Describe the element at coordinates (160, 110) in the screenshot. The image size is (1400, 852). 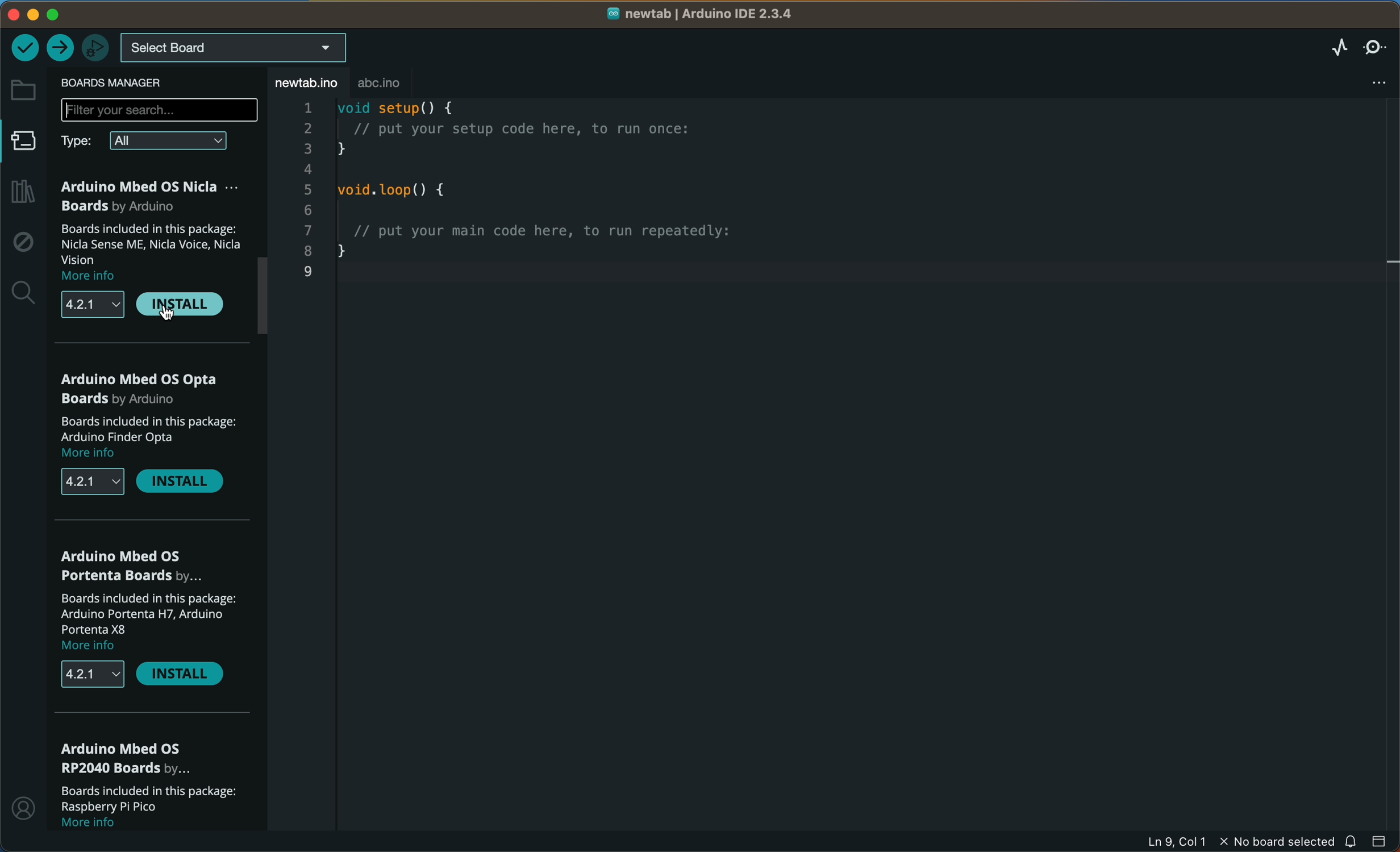
I see `search bar` at that location.